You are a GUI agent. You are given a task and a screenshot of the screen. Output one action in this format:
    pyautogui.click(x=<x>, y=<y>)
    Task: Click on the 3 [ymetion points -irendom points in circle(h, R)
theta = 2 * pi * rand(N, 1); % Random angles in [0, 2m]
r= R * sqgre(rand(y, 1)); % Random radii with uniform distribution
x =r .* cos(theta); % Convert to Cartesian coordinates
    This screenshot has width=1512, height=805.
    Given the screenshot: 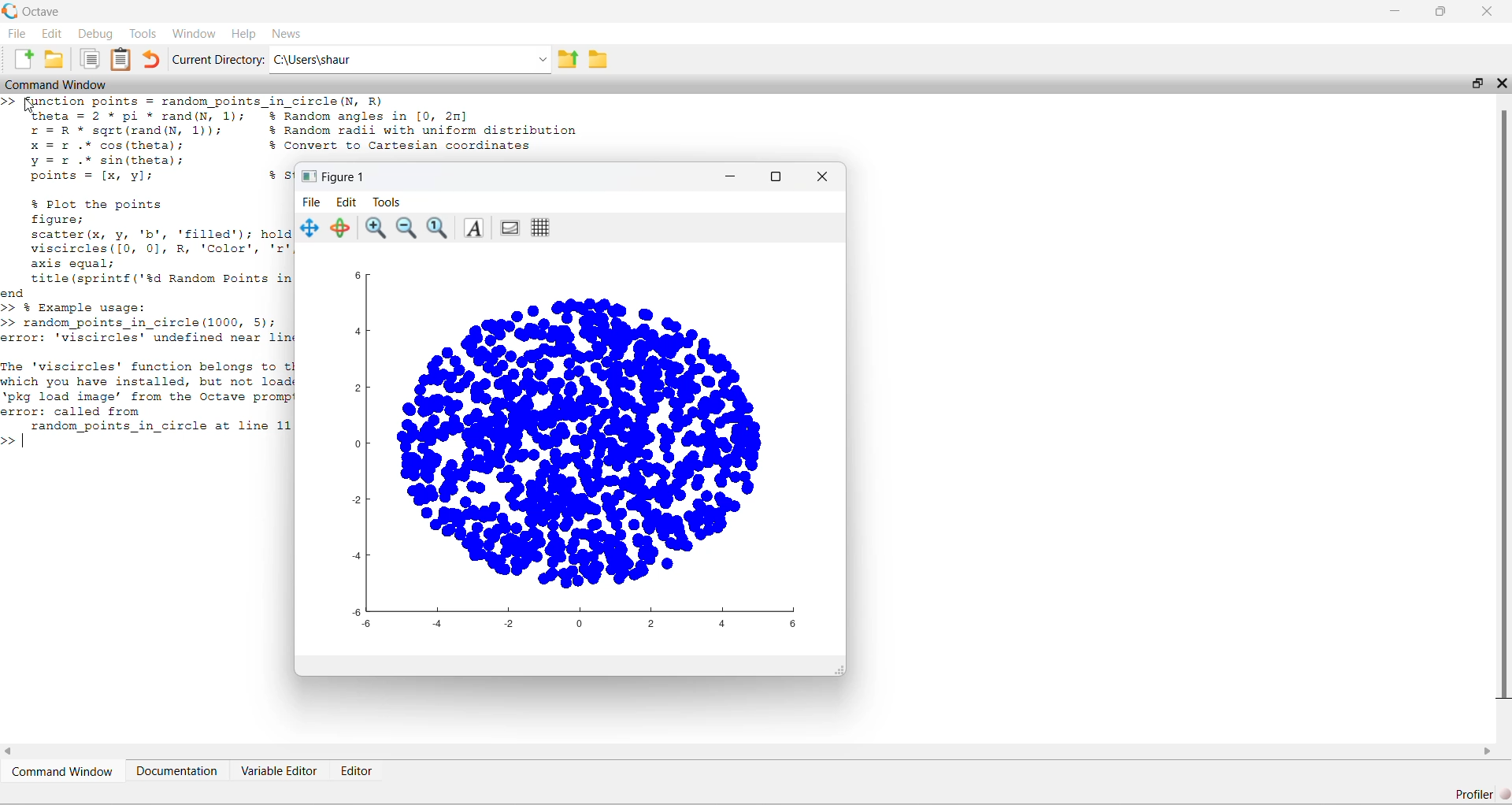 What is the action you would take?
    pyautogui.click(x=295, y=124)
    